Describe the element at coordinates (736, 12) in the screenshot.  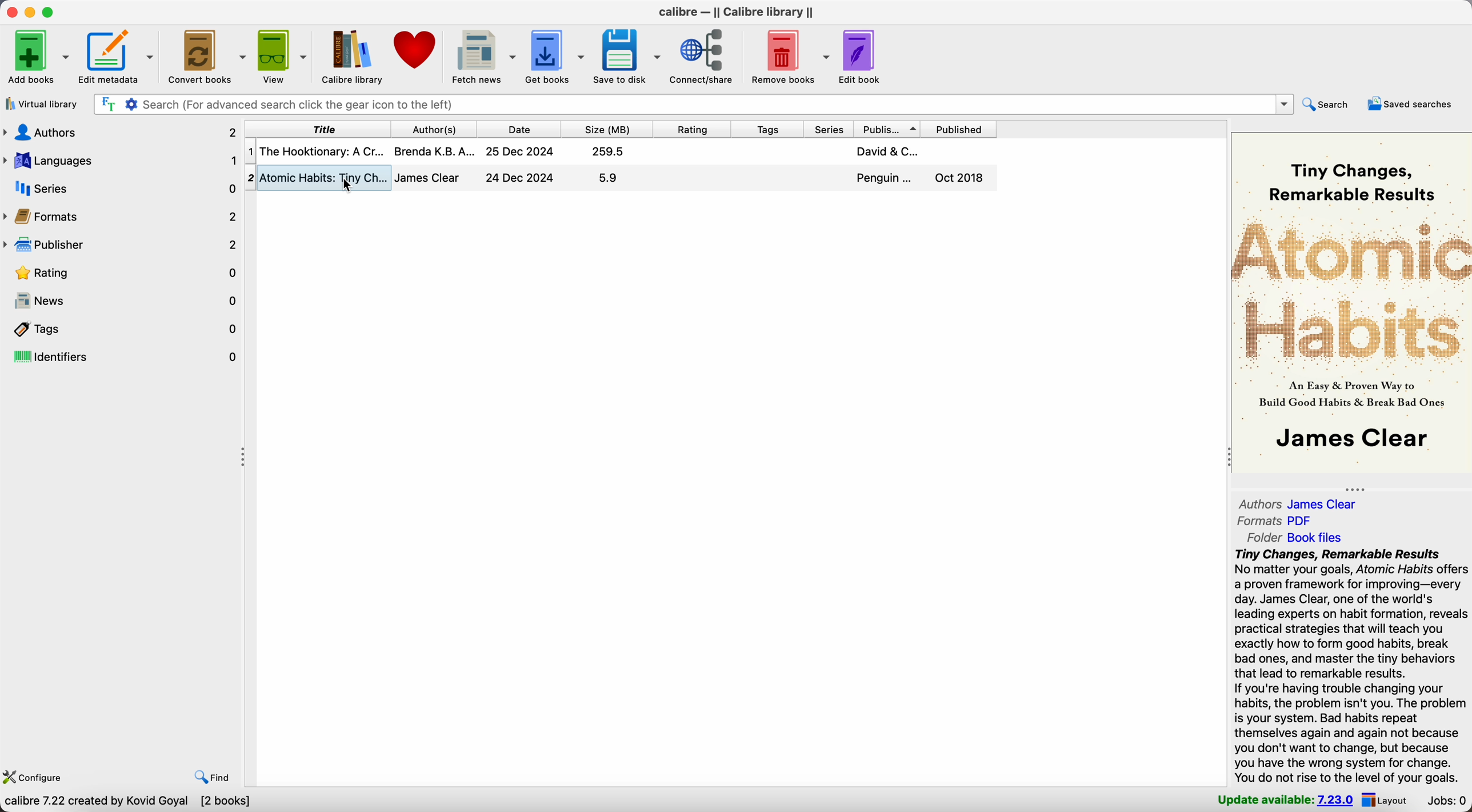
I see `Calibre - || Calibre library ||` at that location.